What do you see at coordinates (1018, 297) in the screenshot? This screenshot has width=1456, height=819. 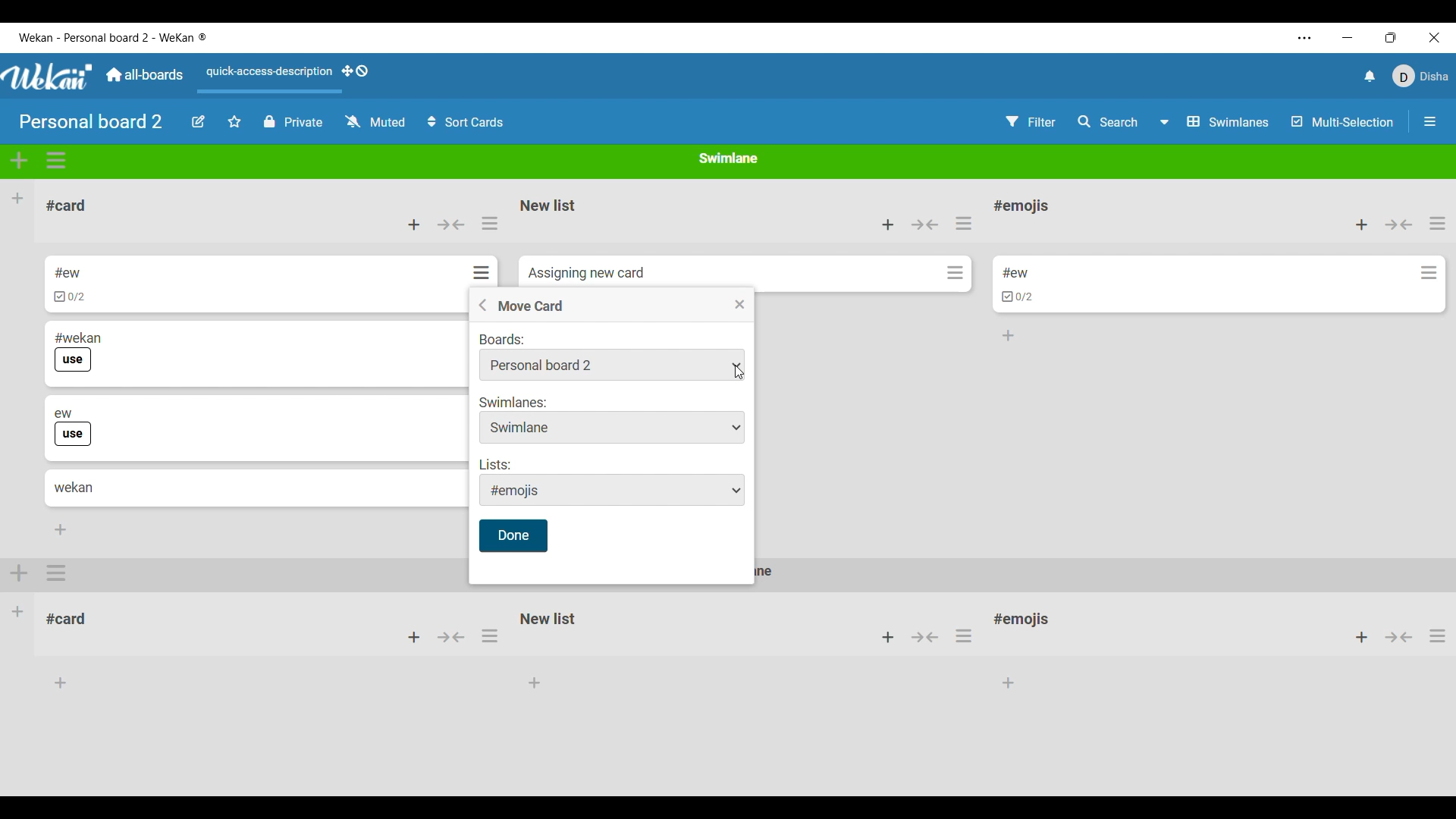 I see `Indicates card has cheklist` at bounding box center [1018, 297].